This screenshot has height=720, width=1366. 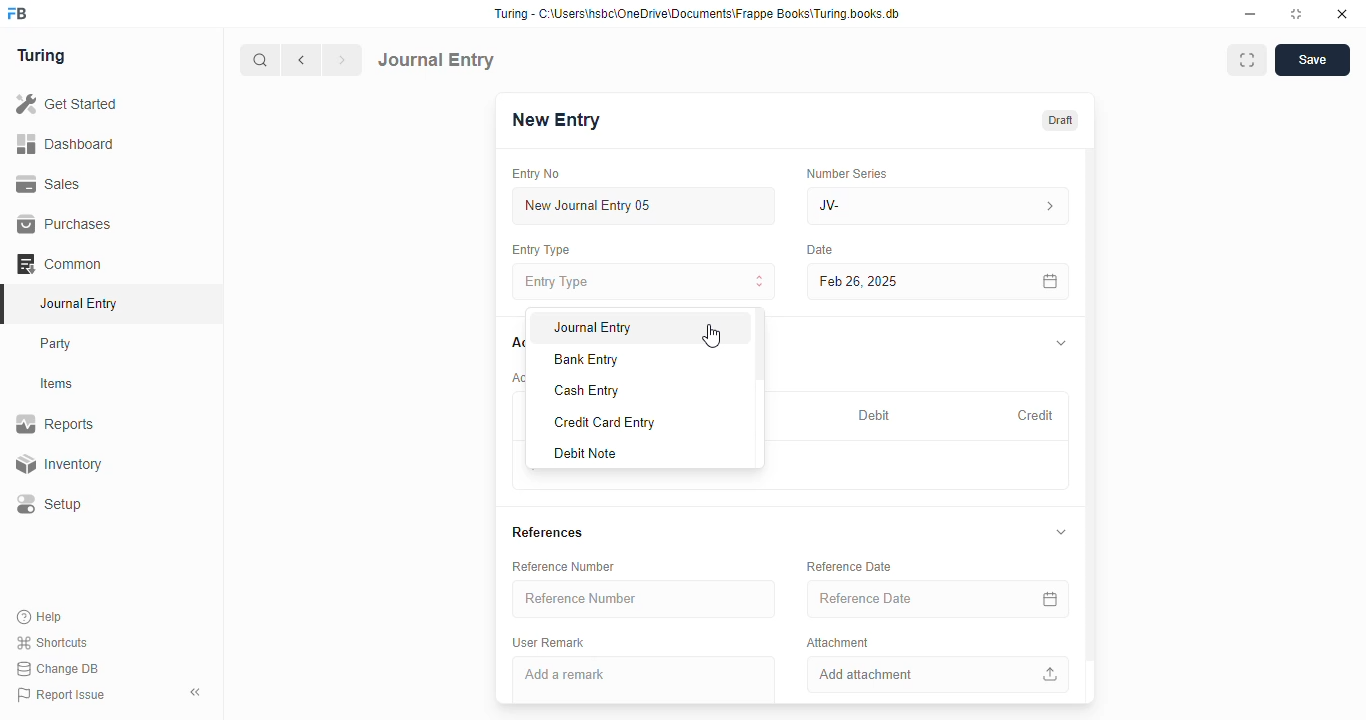 What do you see at coordinates (1091, 424) in the screenshot?
I see `scroll bar` at bounding box center [1091, 424].